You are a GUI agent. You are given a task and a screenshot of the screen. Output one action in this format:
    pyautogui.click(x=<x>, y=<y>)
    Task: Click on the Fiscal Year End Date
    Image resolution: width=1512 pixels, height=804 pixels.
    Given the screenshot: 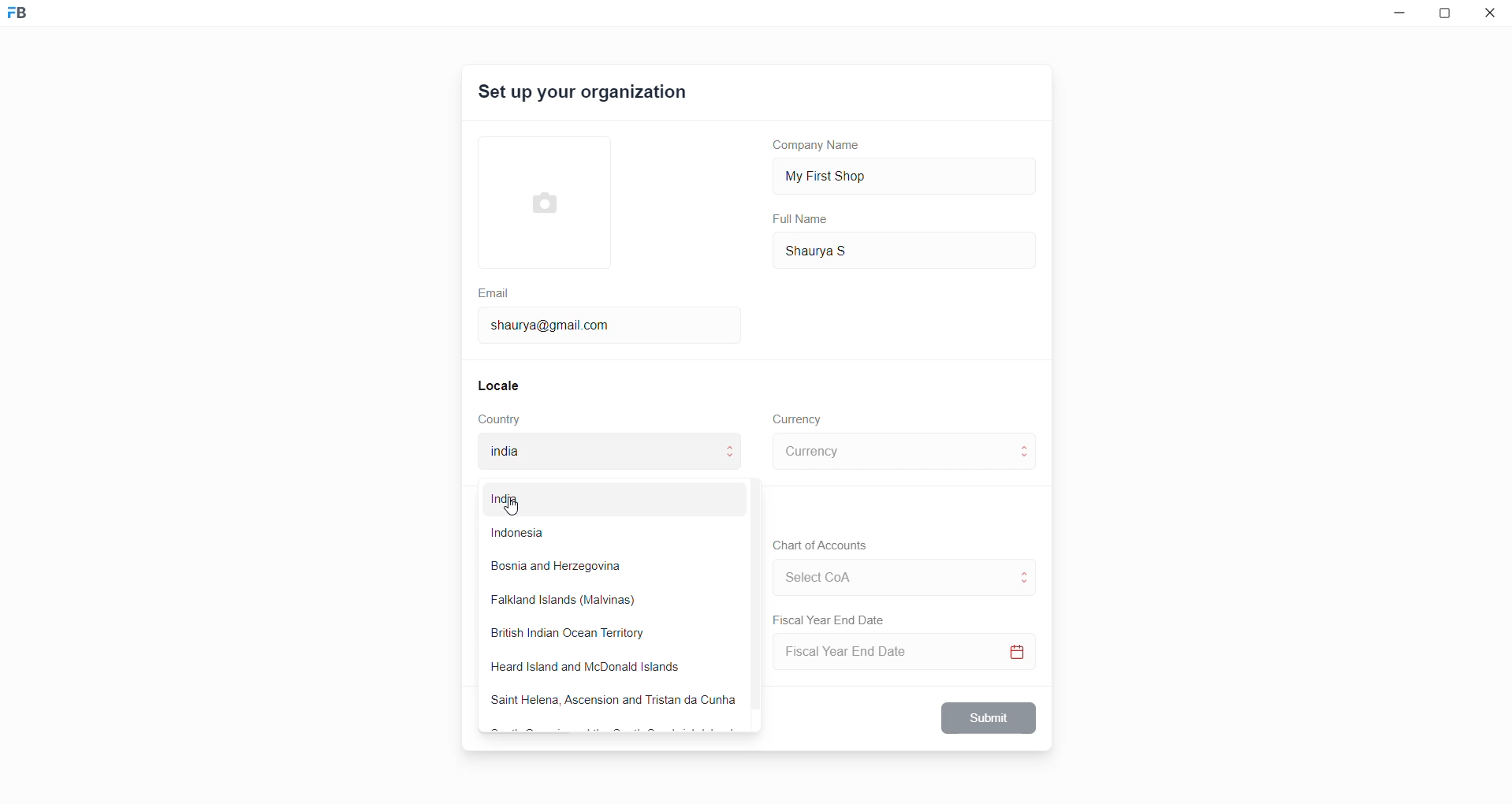 What is the action you would take?
    pyautogui.click(x=830, y=620)
    